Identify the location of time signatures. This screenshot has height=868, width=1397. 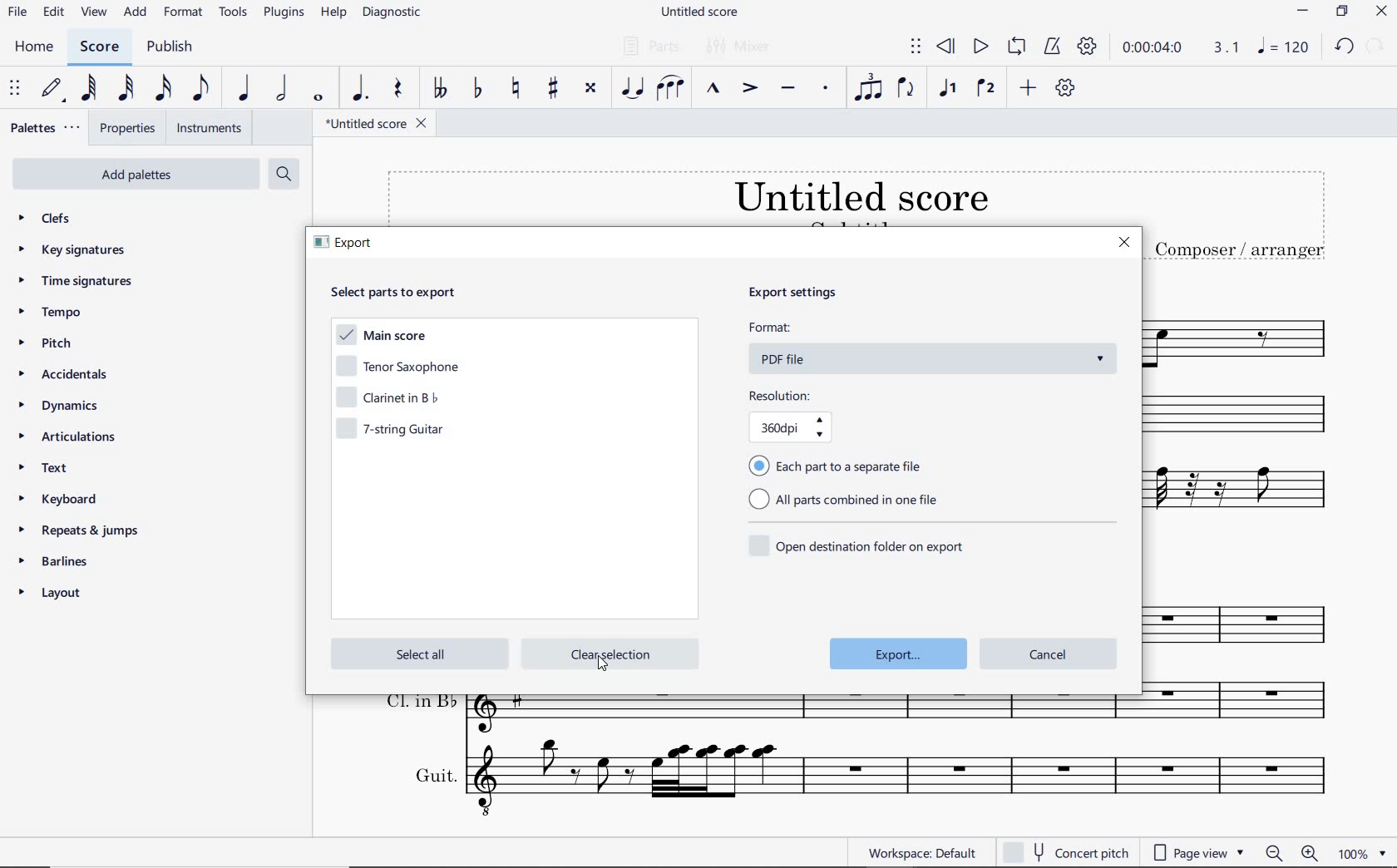
(77, 283).